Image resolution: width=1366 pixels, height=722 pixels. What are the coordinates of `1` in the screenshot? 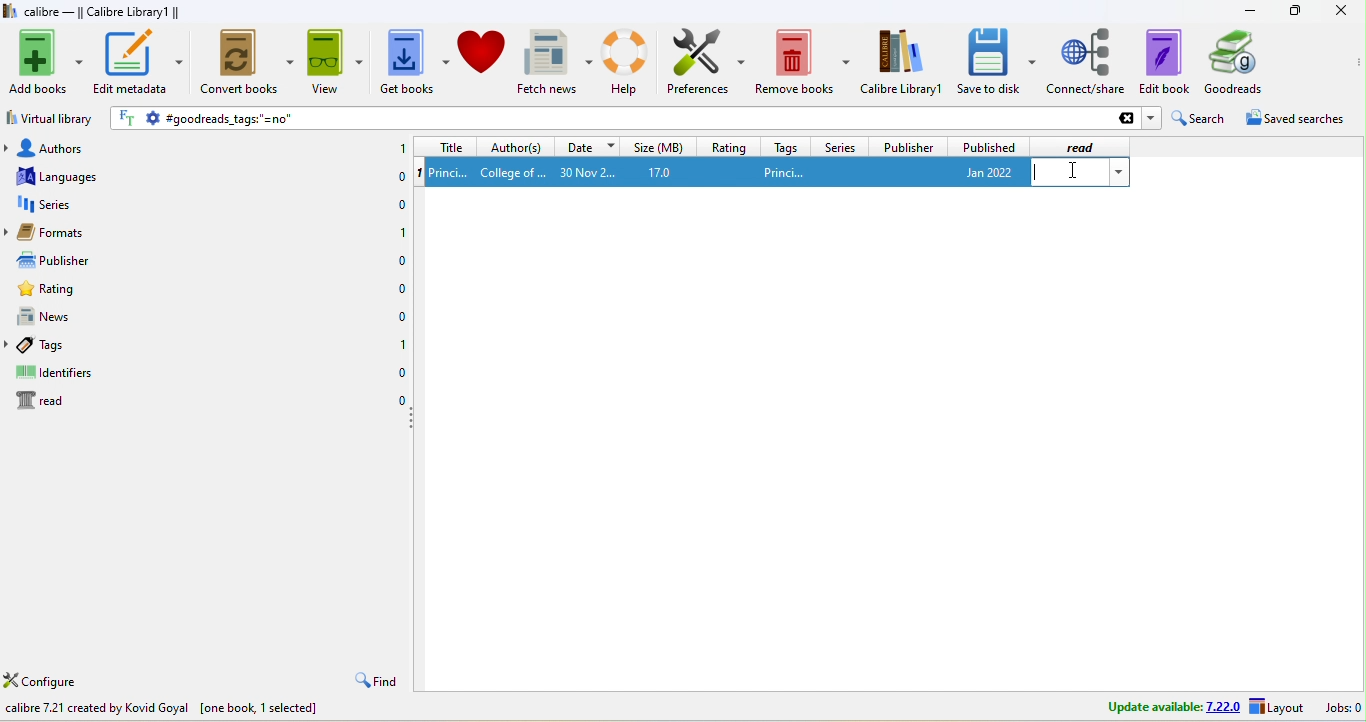 It's located at (402, 232).